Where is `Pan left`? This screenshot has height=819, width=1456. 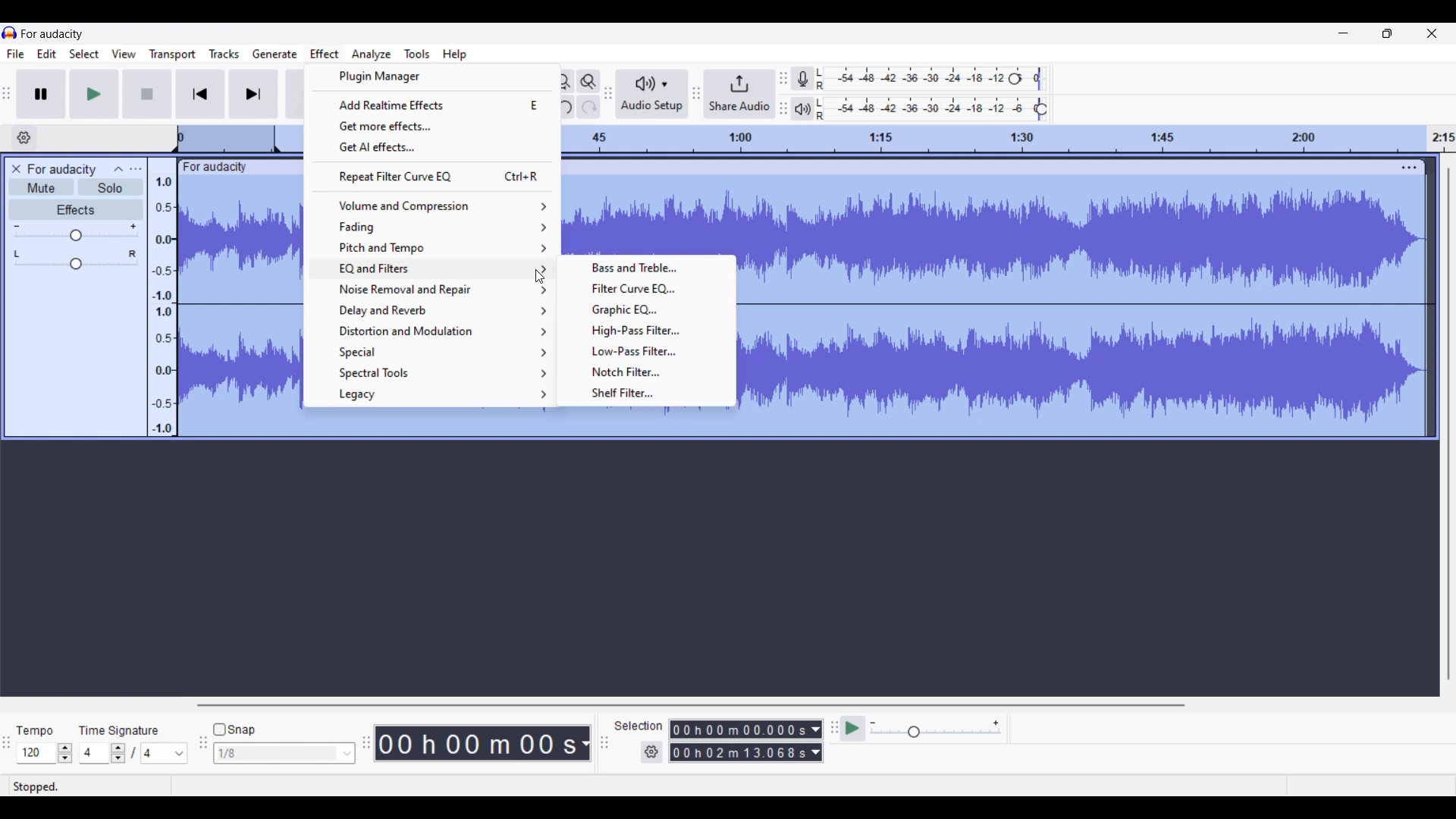 Pan left is located at coordinates (17, 254).